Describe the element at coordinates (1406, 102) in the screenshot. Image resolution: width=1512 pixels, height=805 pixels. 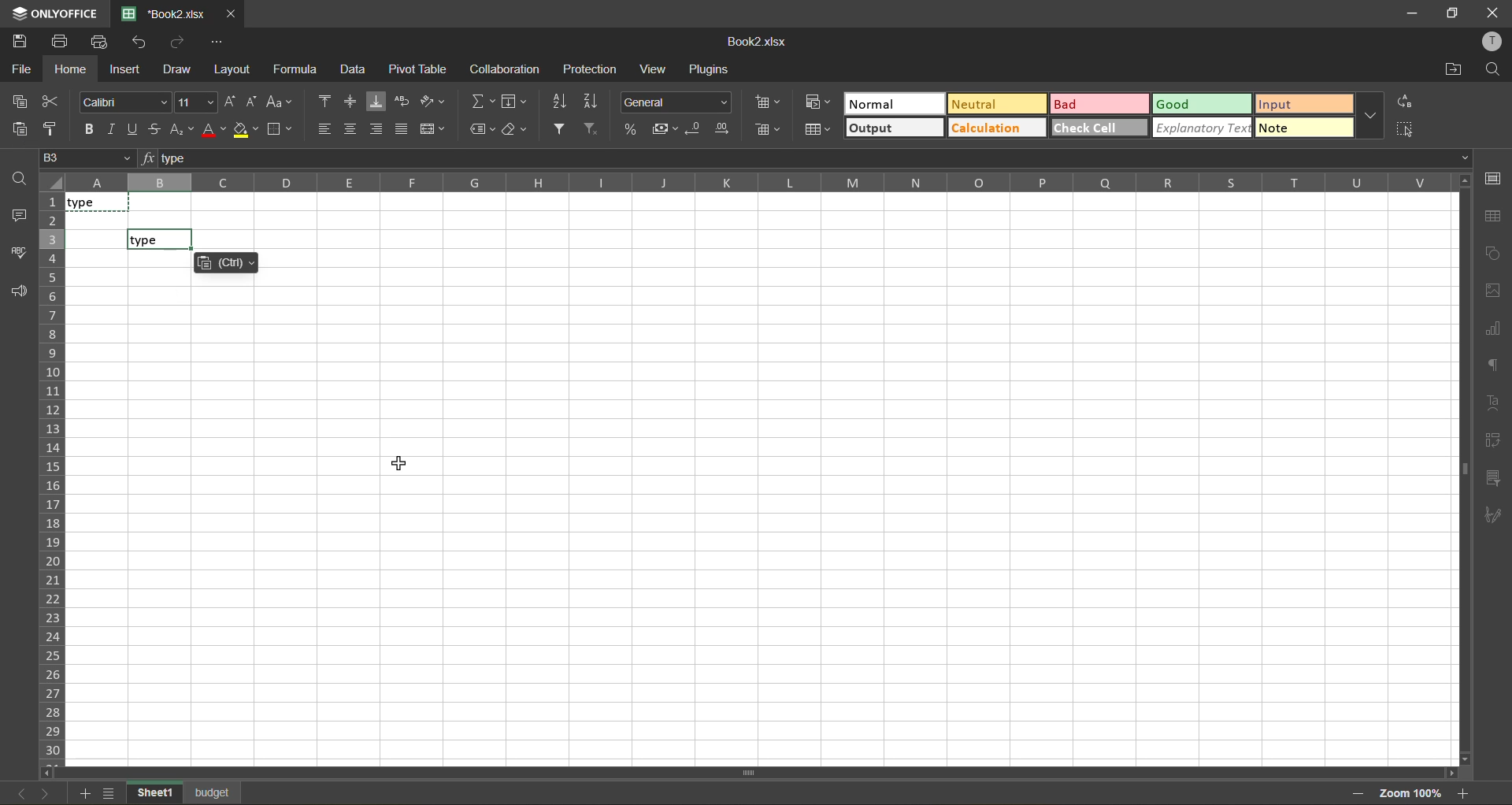
I see `replace` at that location.